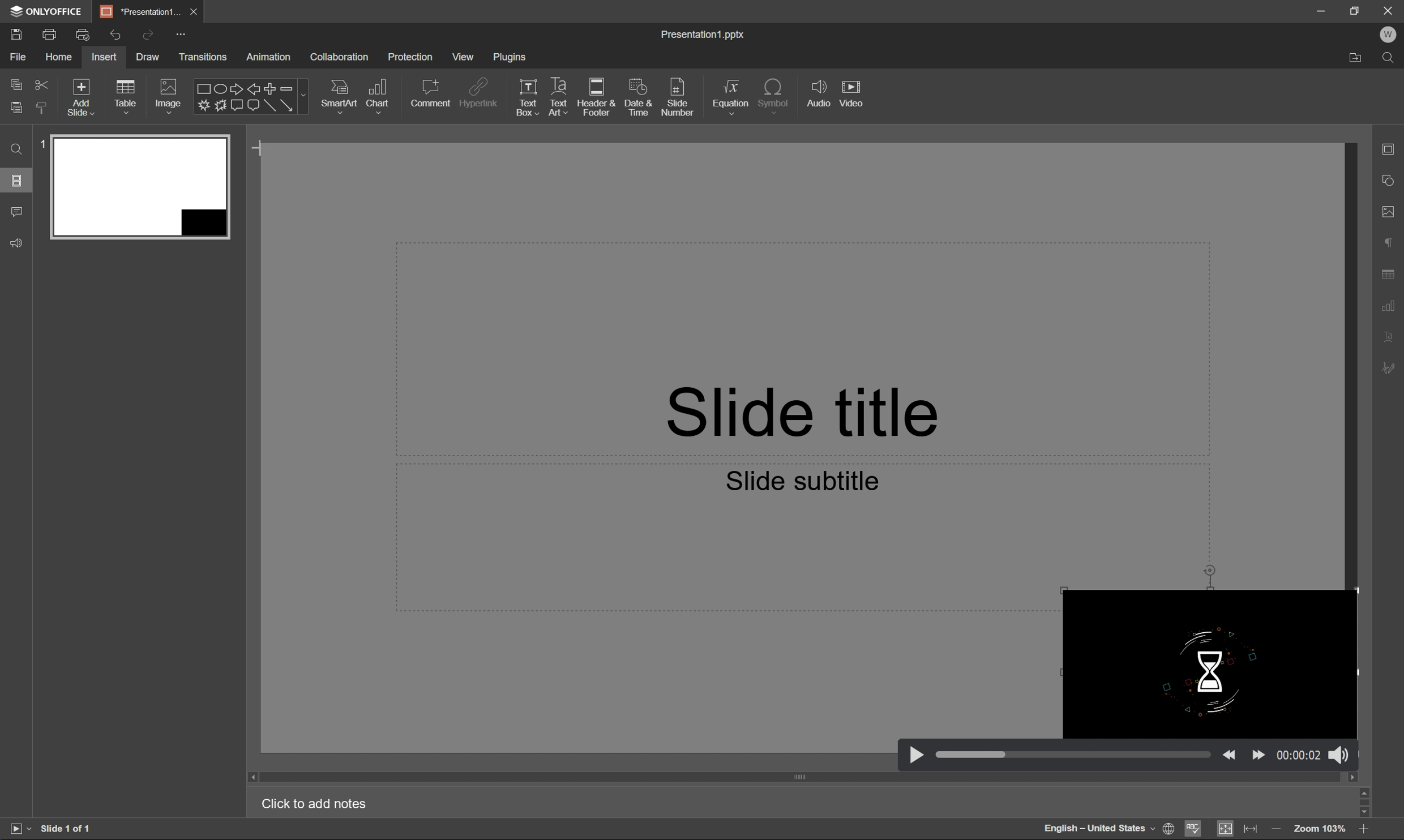 Image resolution: width=1404 pixels, height=840 pixels. What do you see at coordinates (467, 56) in the screenshot?
I see `view` at bounding box center [467, 56].